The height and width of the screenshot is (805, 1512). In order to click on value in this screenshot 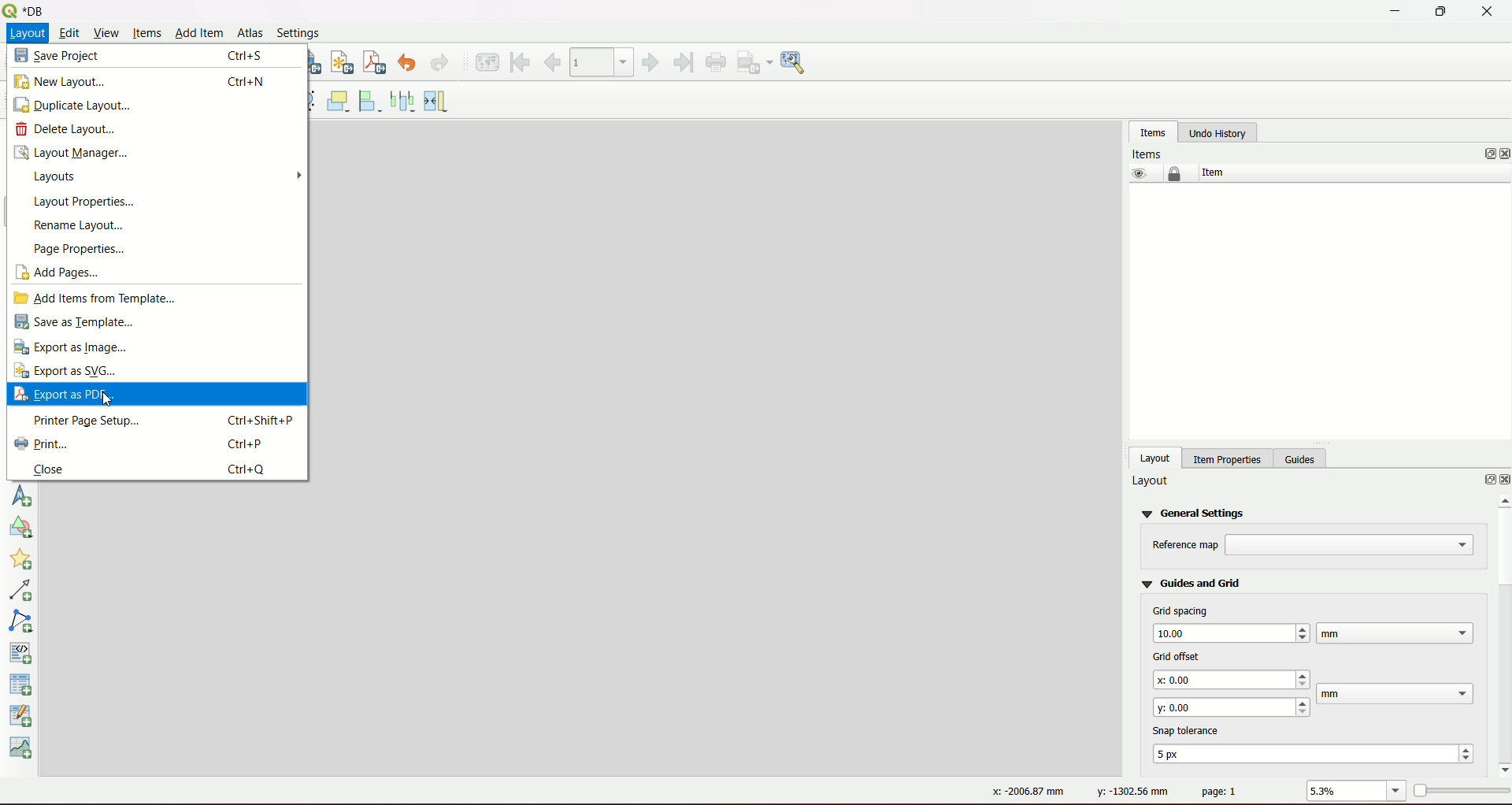, I will do `click(1344, 792)`.